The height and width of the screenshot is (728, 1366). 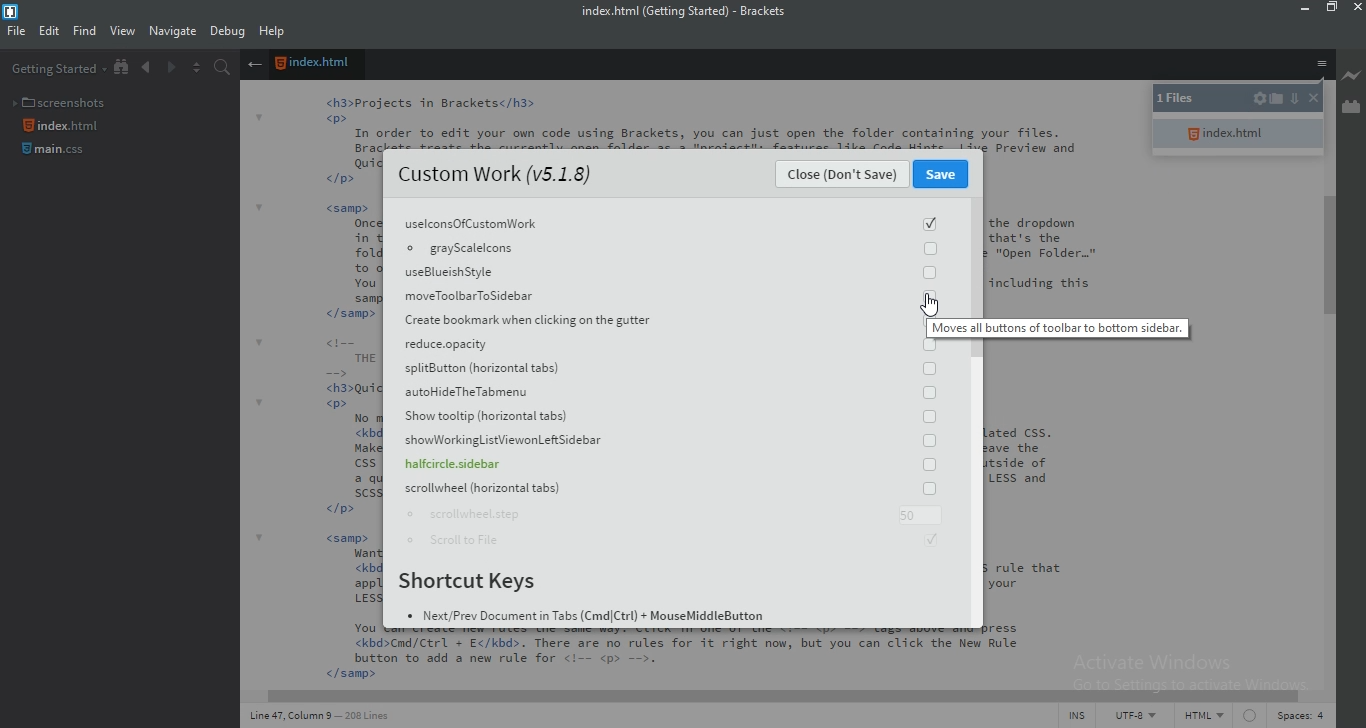 I want to click on restore, so click(x=1334, y=11).